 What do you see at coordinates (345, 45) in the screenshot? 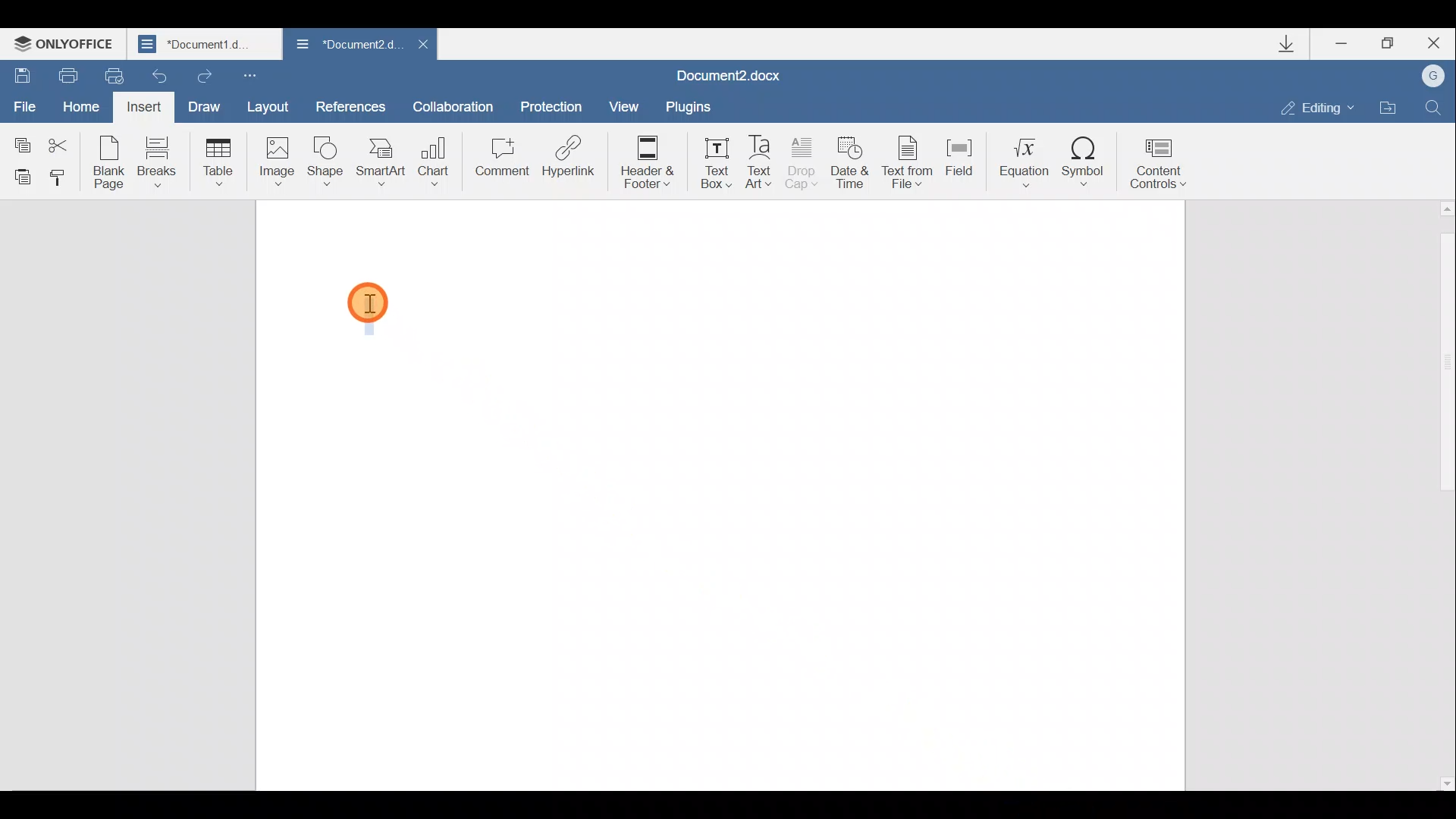
I see `*Document2.d...` at bounding box center [345, 45].